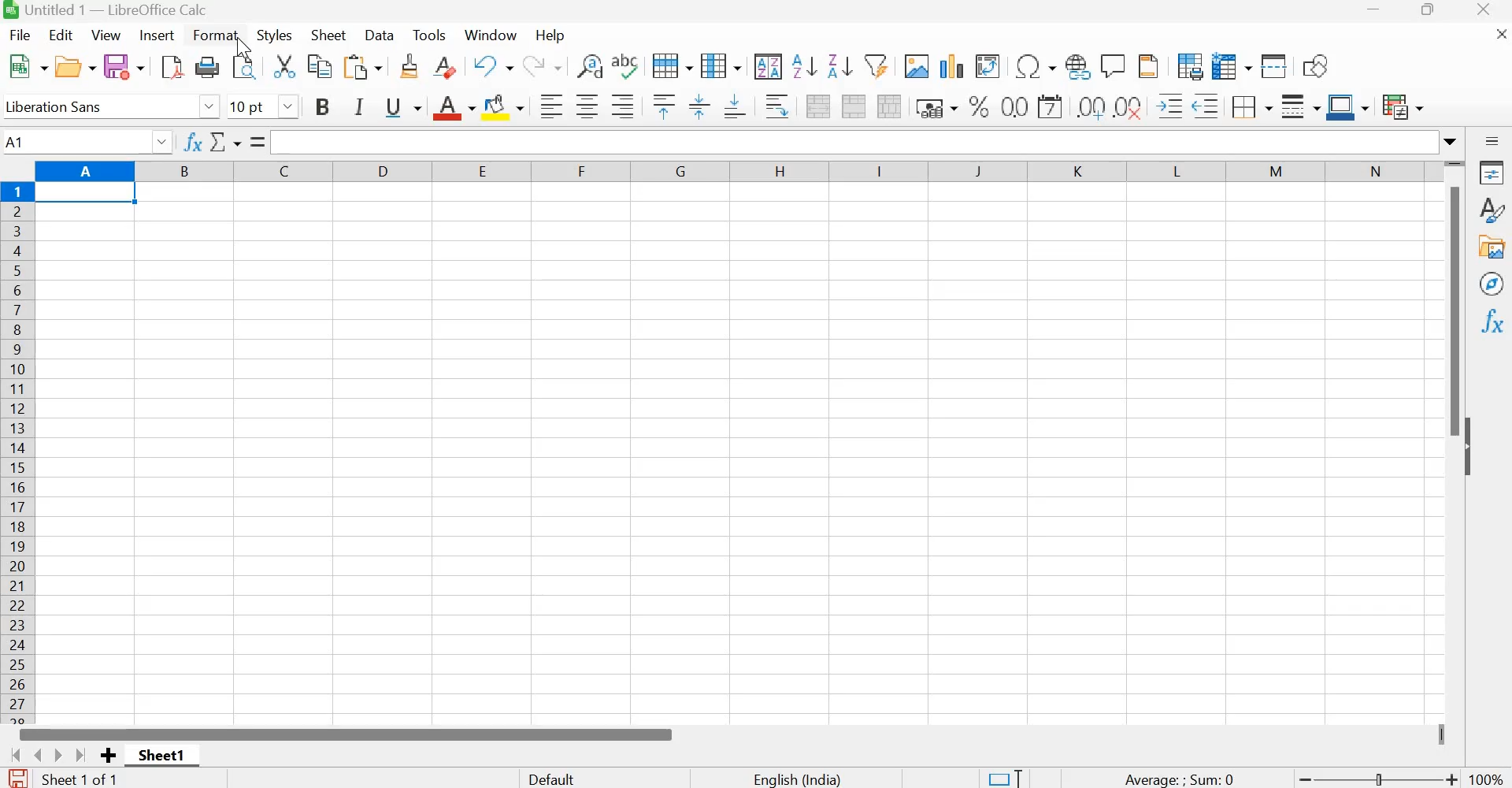  What do you see at coordinates (1114, 64) in the screenshot?
I see `Insert comment` at bounding box center [1114, 64].